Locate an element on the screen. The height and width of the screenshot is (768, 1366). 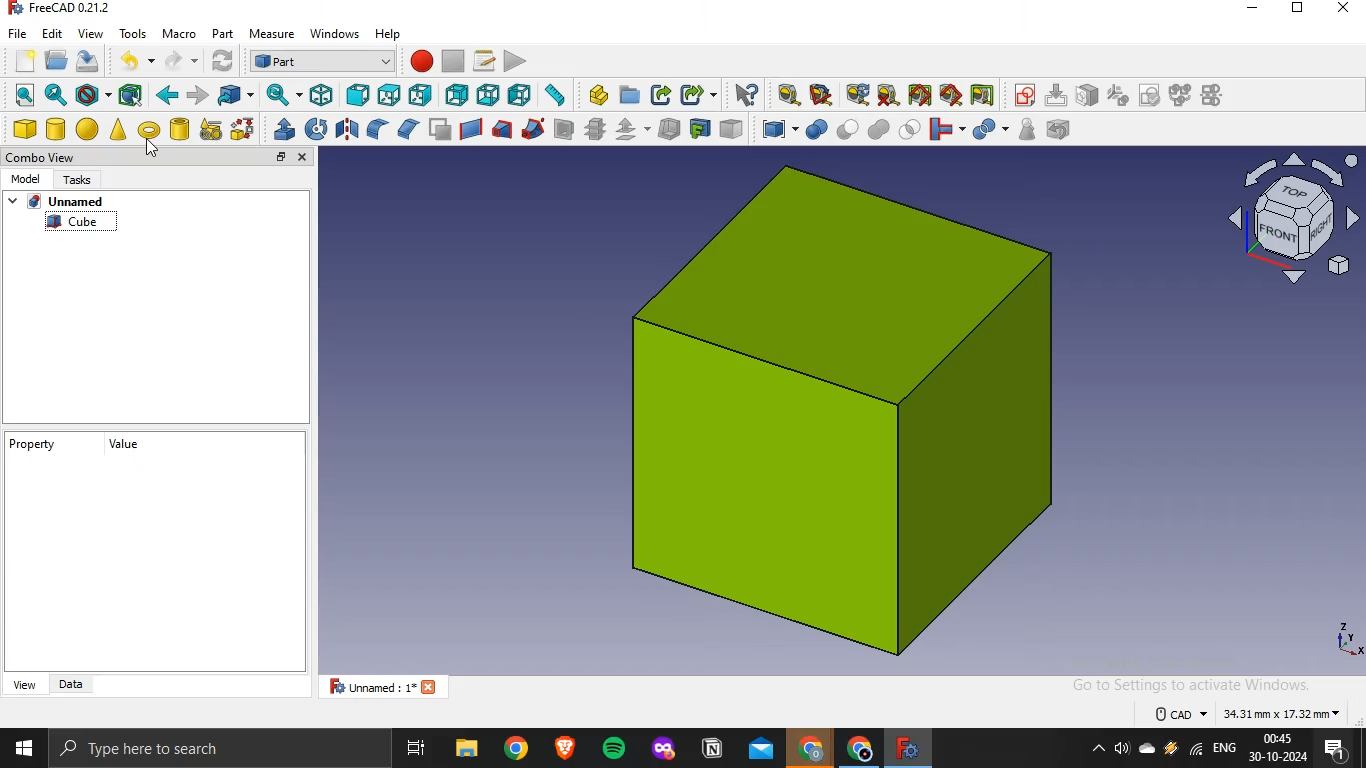
fillet is located at coordinates (375, 130).